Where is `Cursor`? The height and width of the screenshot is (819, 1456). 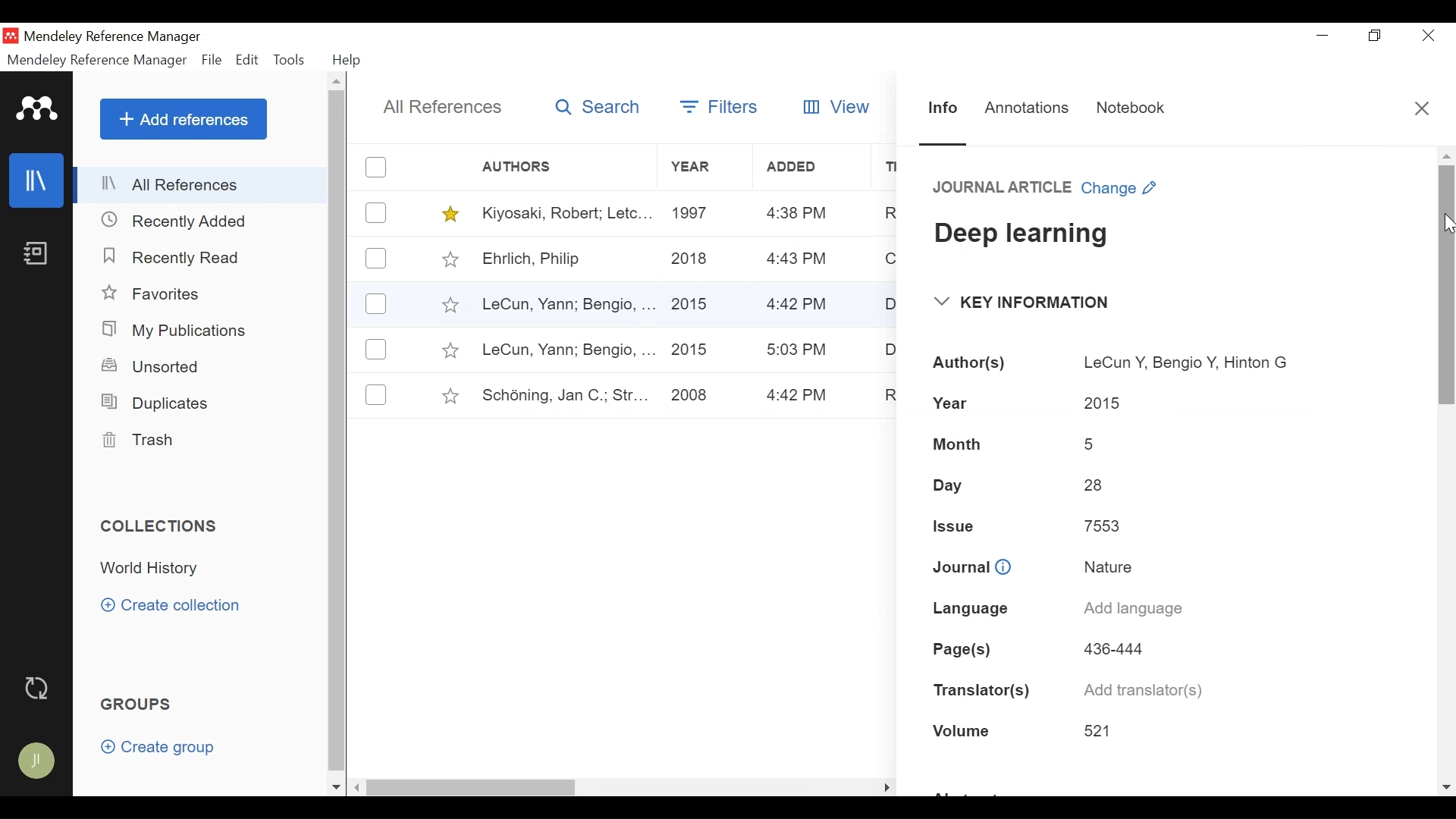 Cursor is located at coordinates (1447, 224).